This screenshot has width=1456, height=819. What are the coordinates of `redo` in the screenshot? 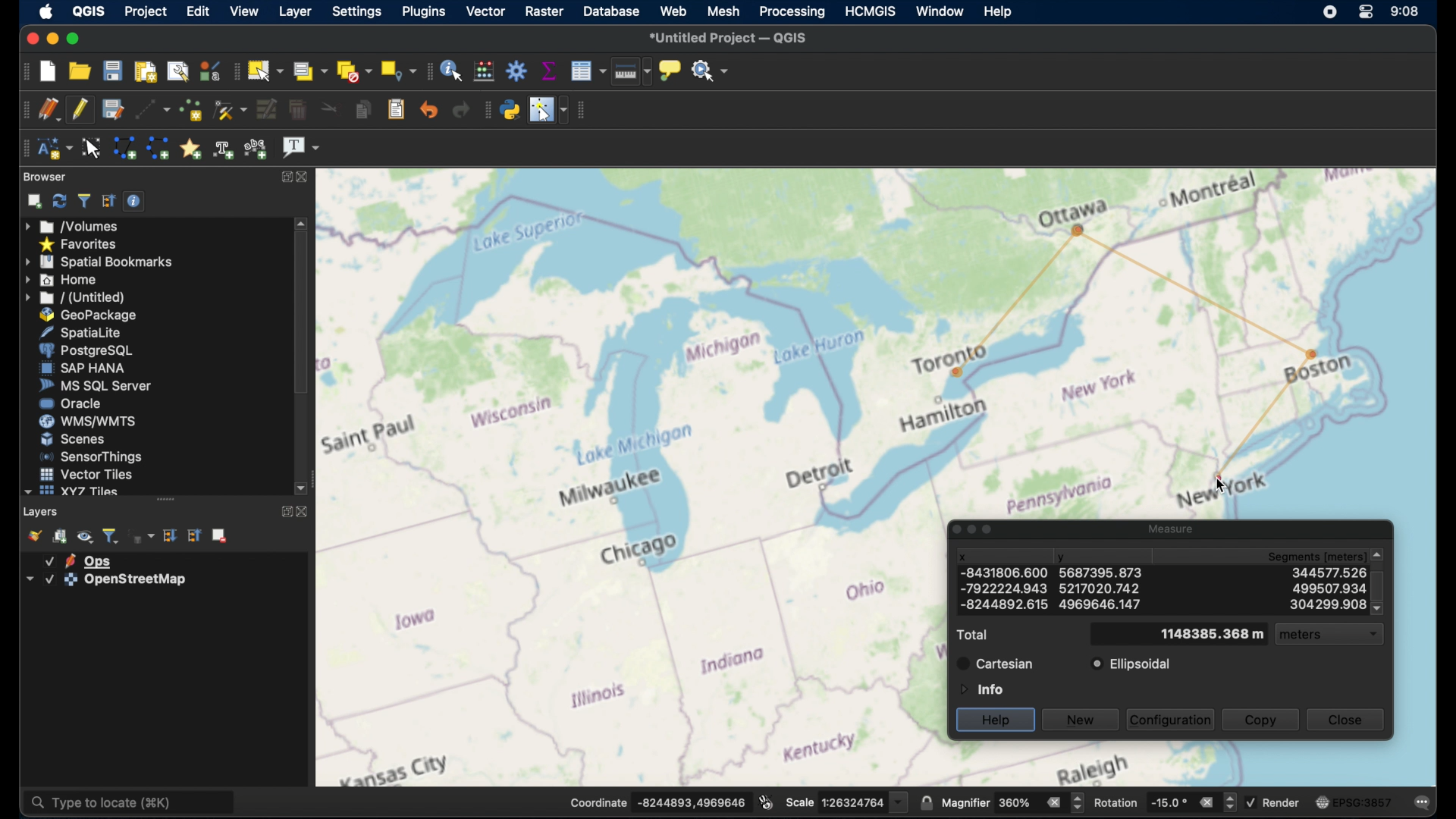 It's located at (461, 110).